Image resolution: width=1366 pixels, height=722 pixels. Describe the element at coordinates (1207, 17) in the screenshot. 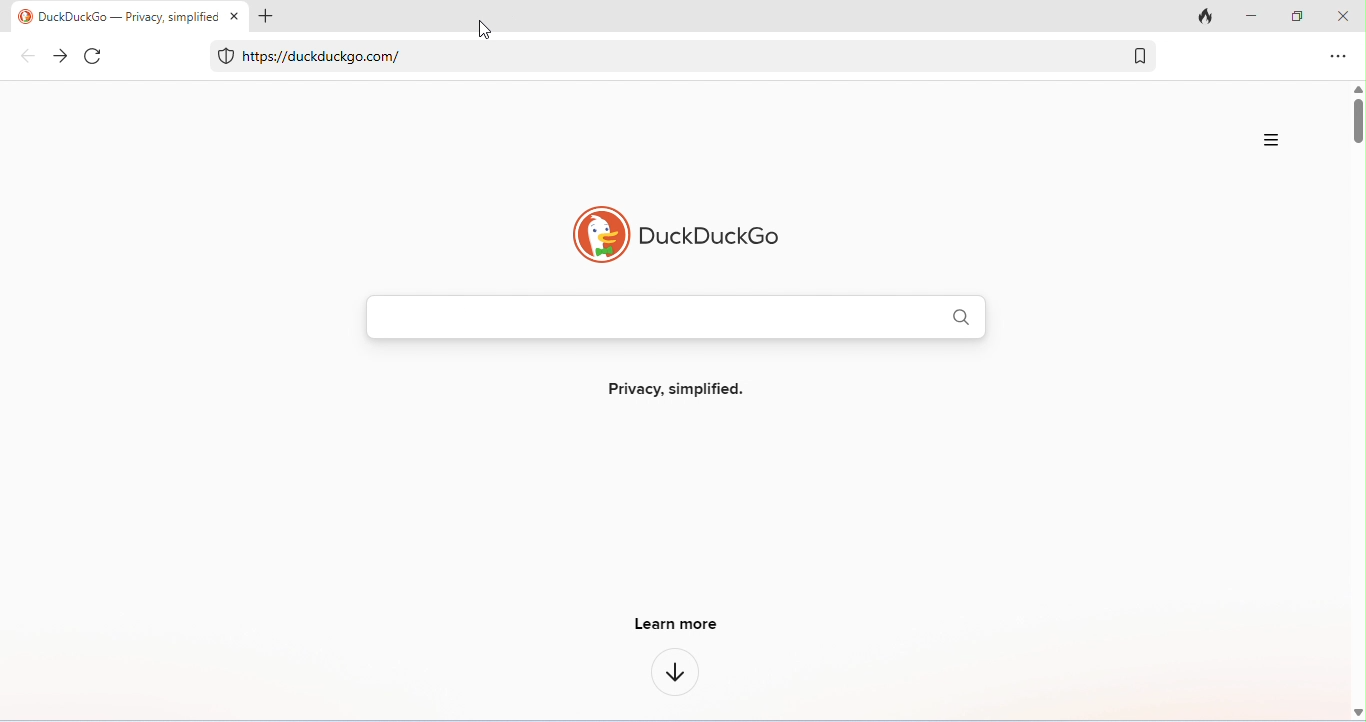

I see `Close tabs and clear data` at that location.